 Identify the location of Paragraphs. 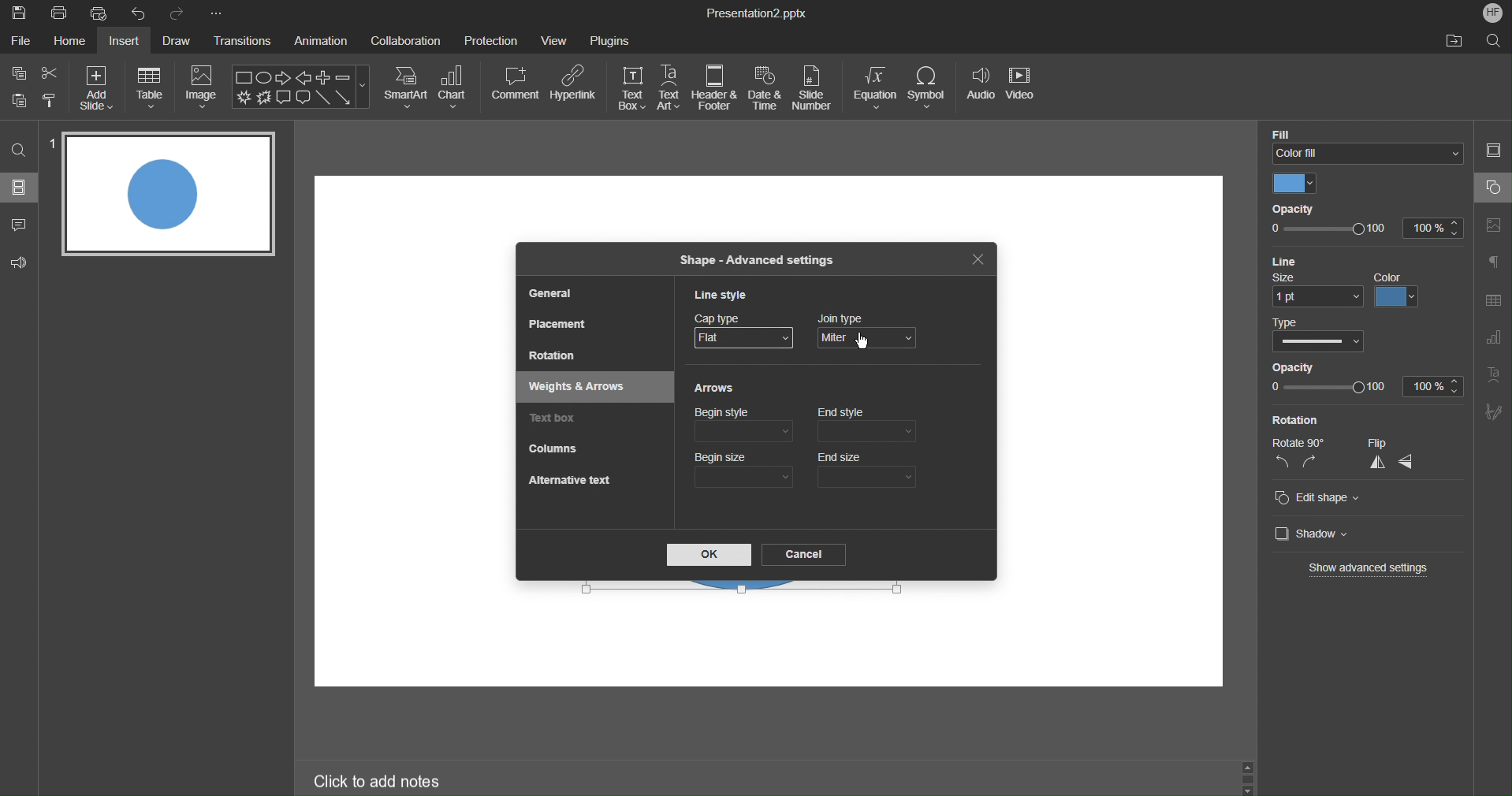
(1494, 261).